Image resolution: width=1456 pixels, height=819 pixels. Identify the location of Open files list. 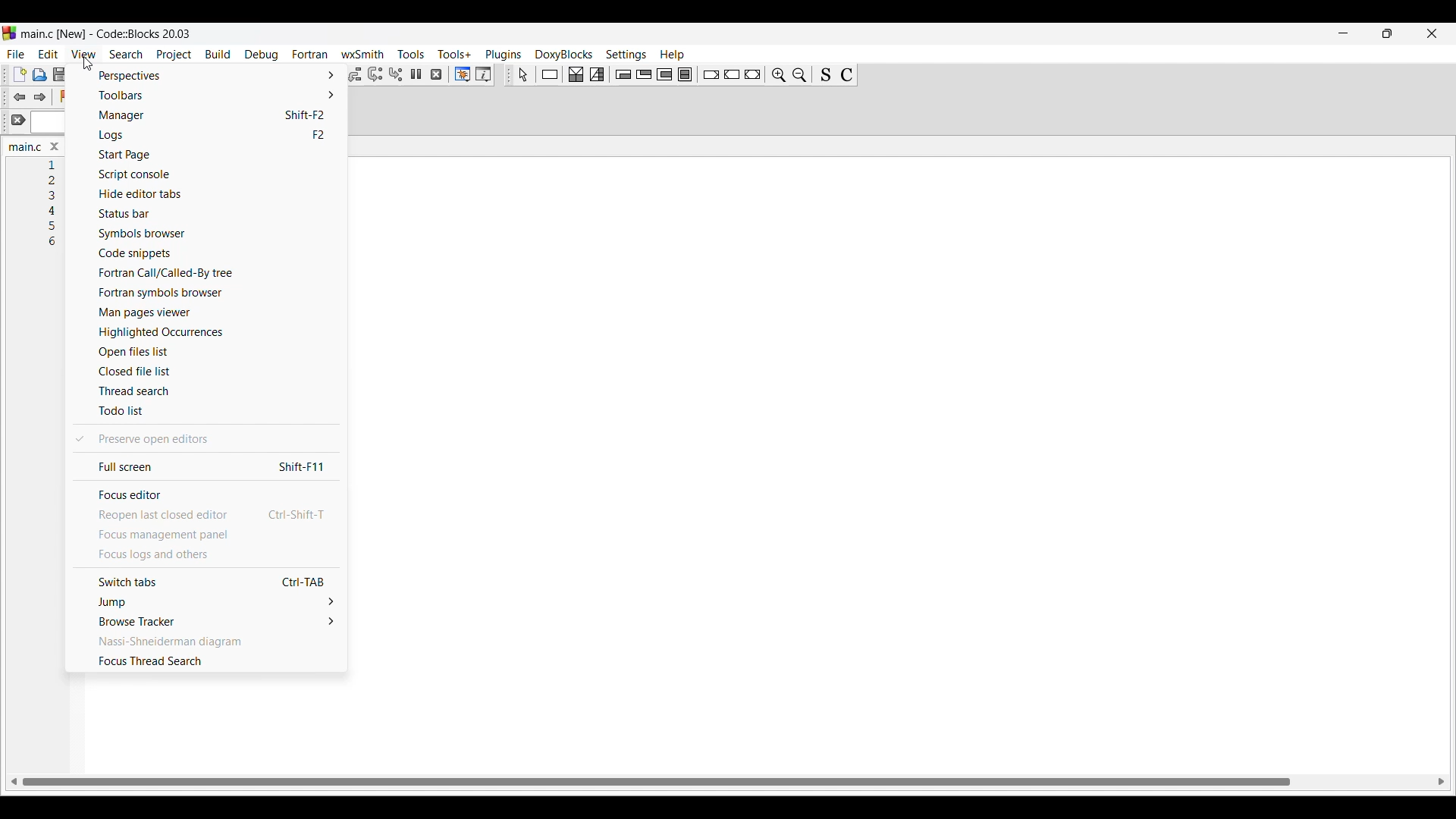
(211, 352).